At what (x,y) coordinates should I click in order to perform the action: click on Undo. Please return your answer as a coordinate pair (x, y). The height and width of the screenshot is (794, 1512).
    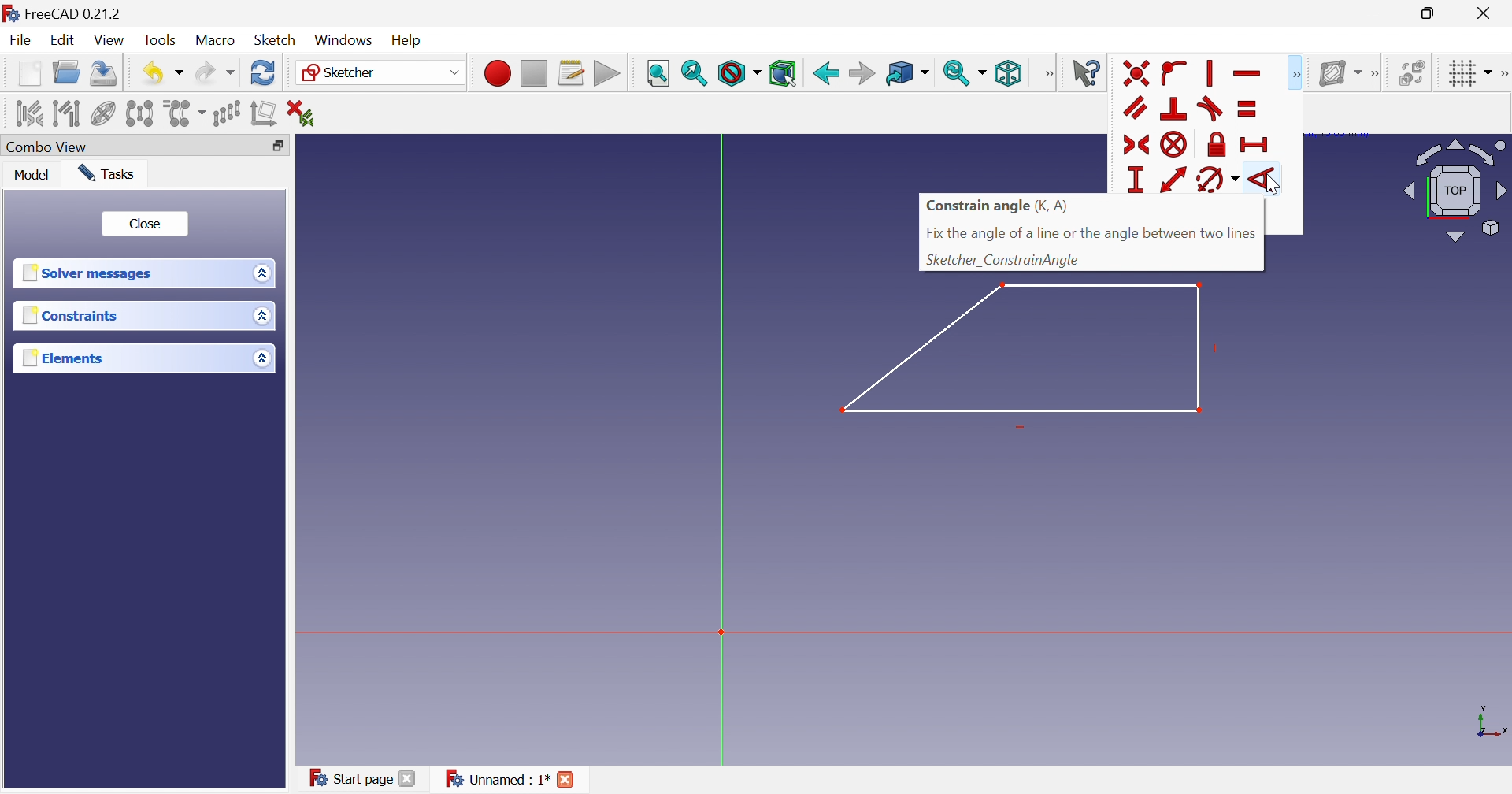
    Looking at the image, I should click on (150, 72).